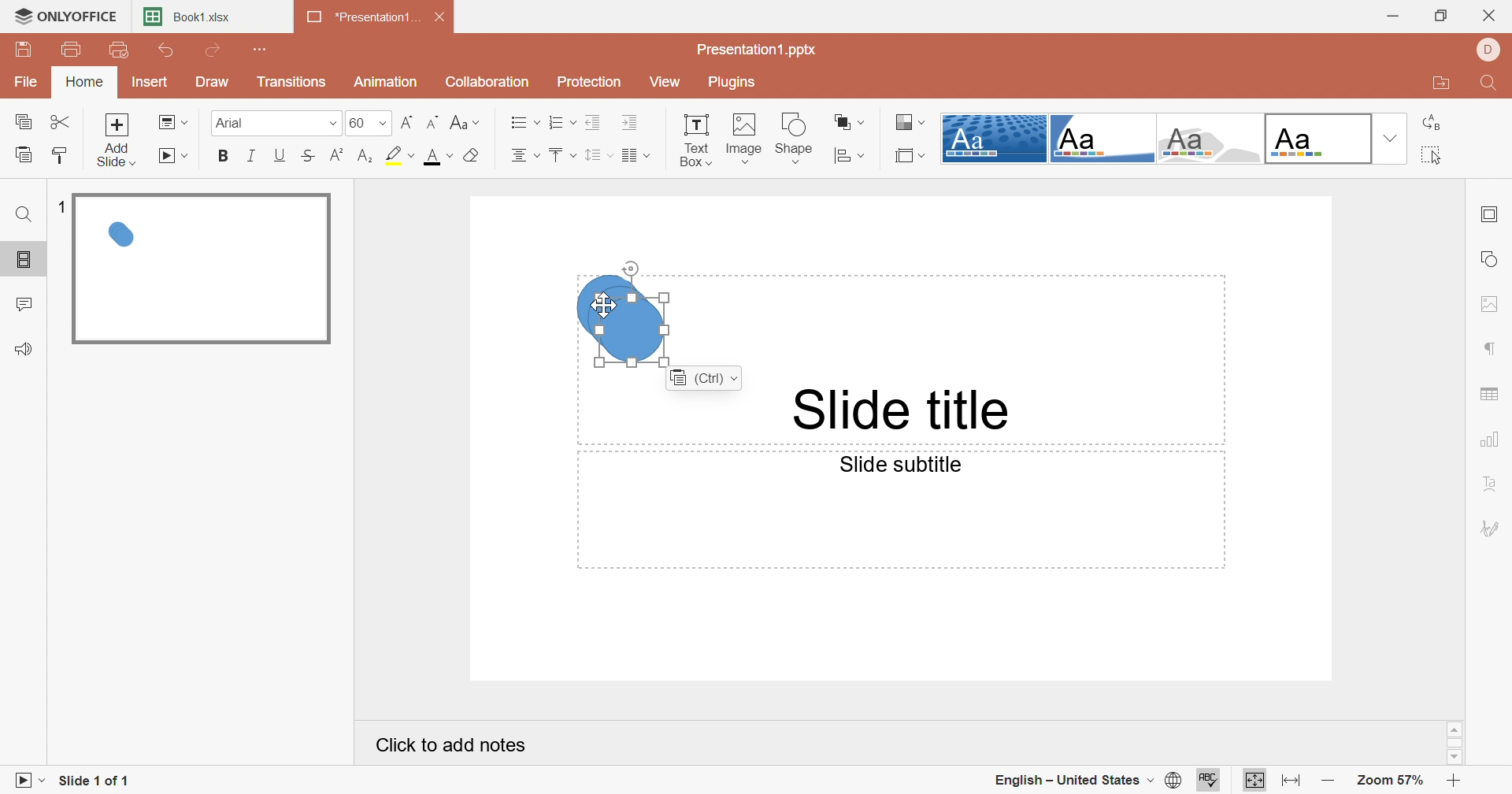 This screenshot has height=794, width=1512. What do you see at coordinates (636, 157) in the screenshot?
I see `Insert columns` at bounding box center [636, 157].